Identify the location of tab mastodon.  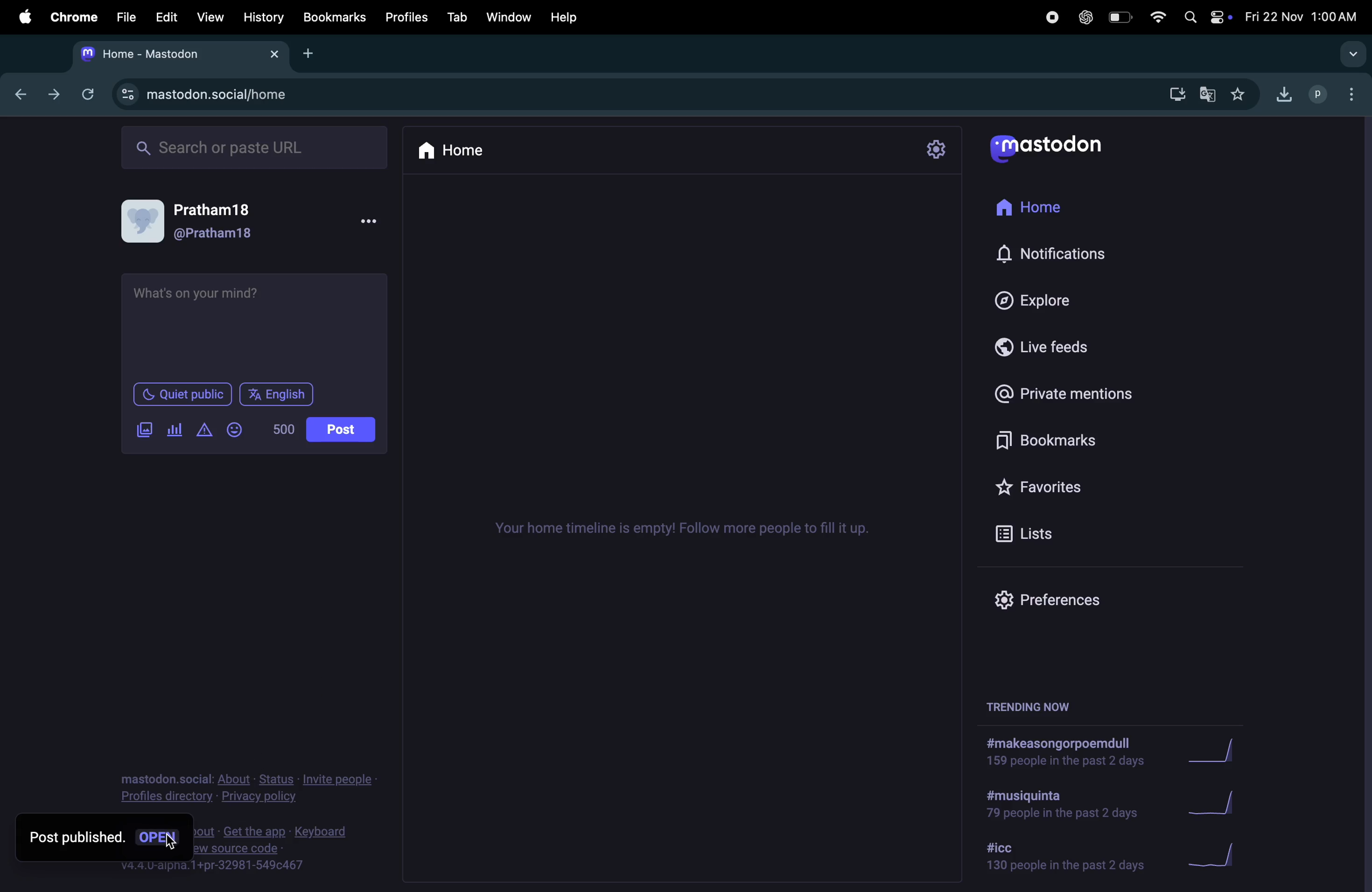
(167, 54).